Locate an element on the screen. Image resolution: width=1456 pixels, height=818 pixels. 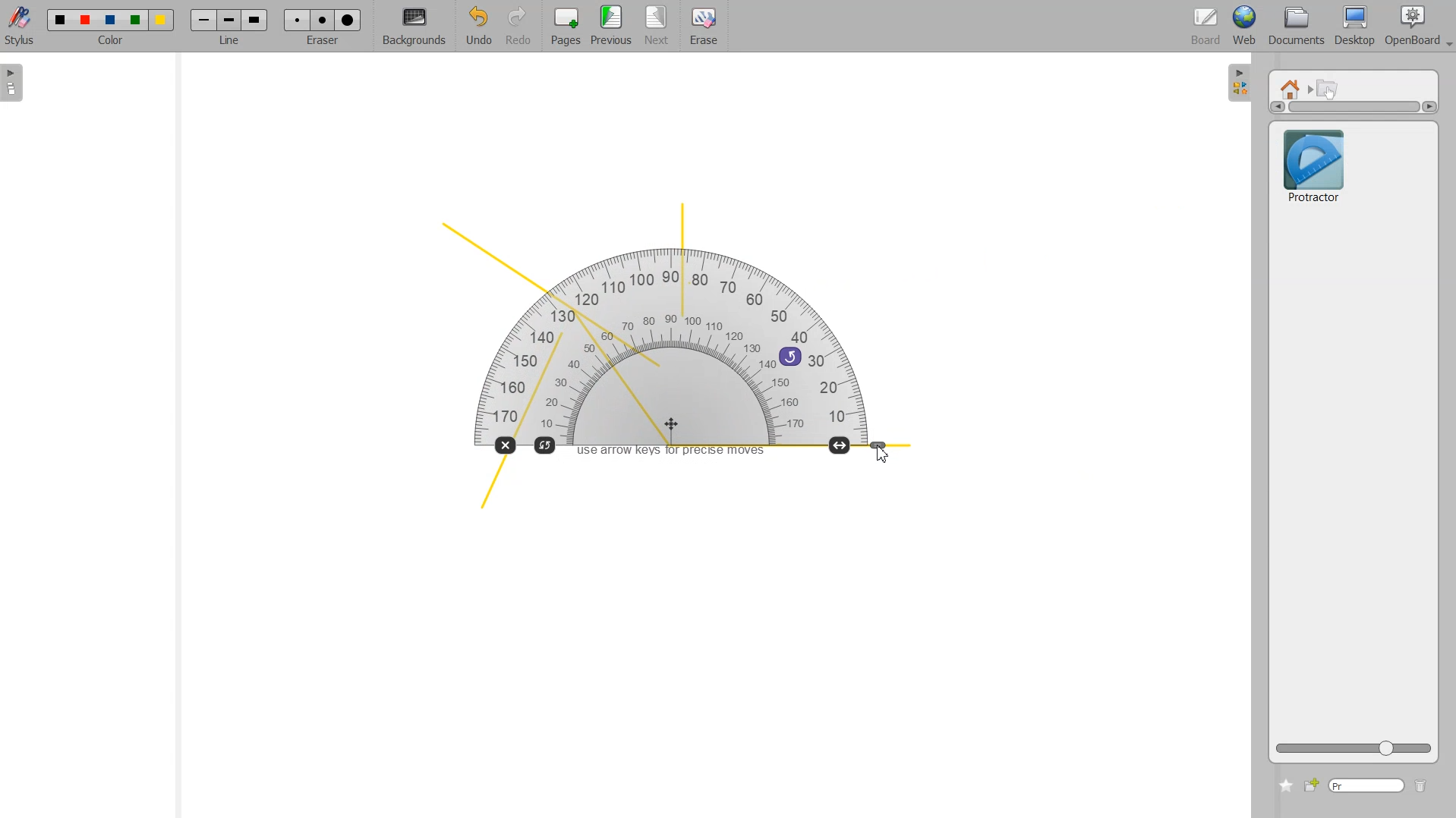
Interactive is located at coordinates (1328, 88).